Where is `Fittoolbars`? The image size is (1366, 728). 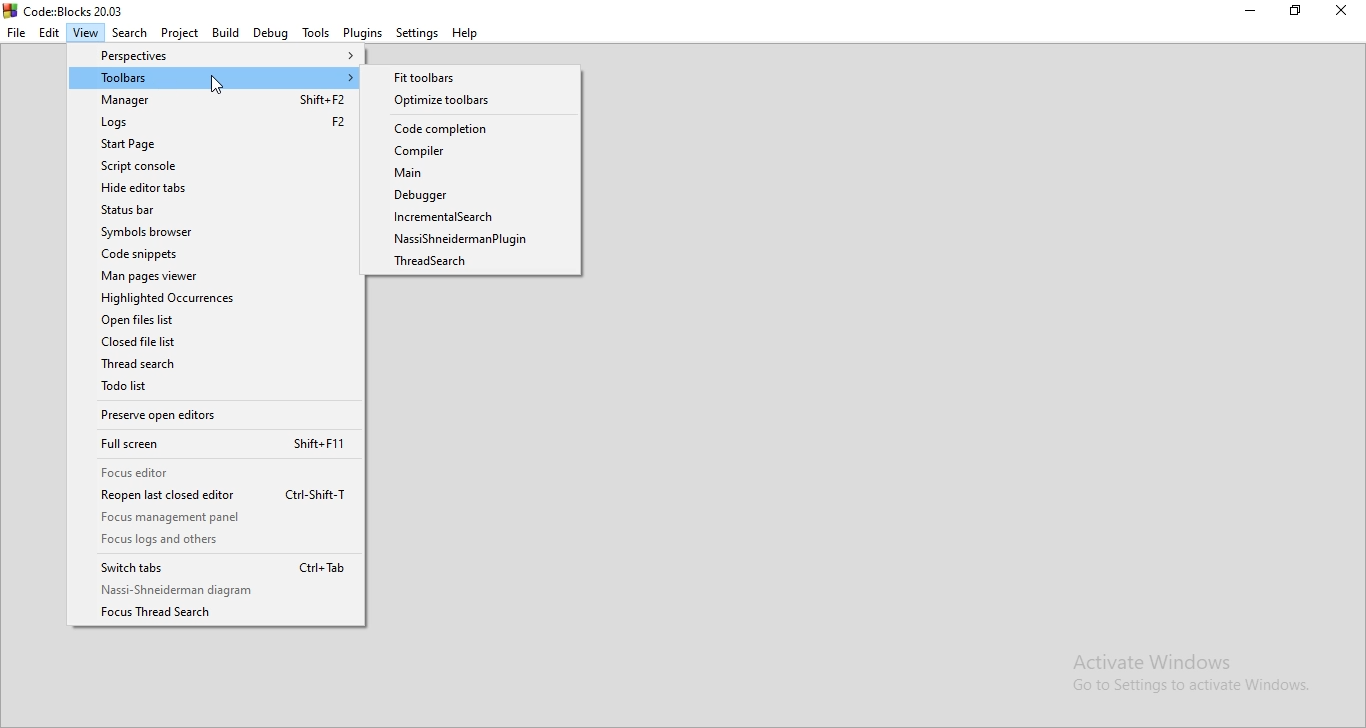 Fittoolbars is located at coordinates (475, 78).